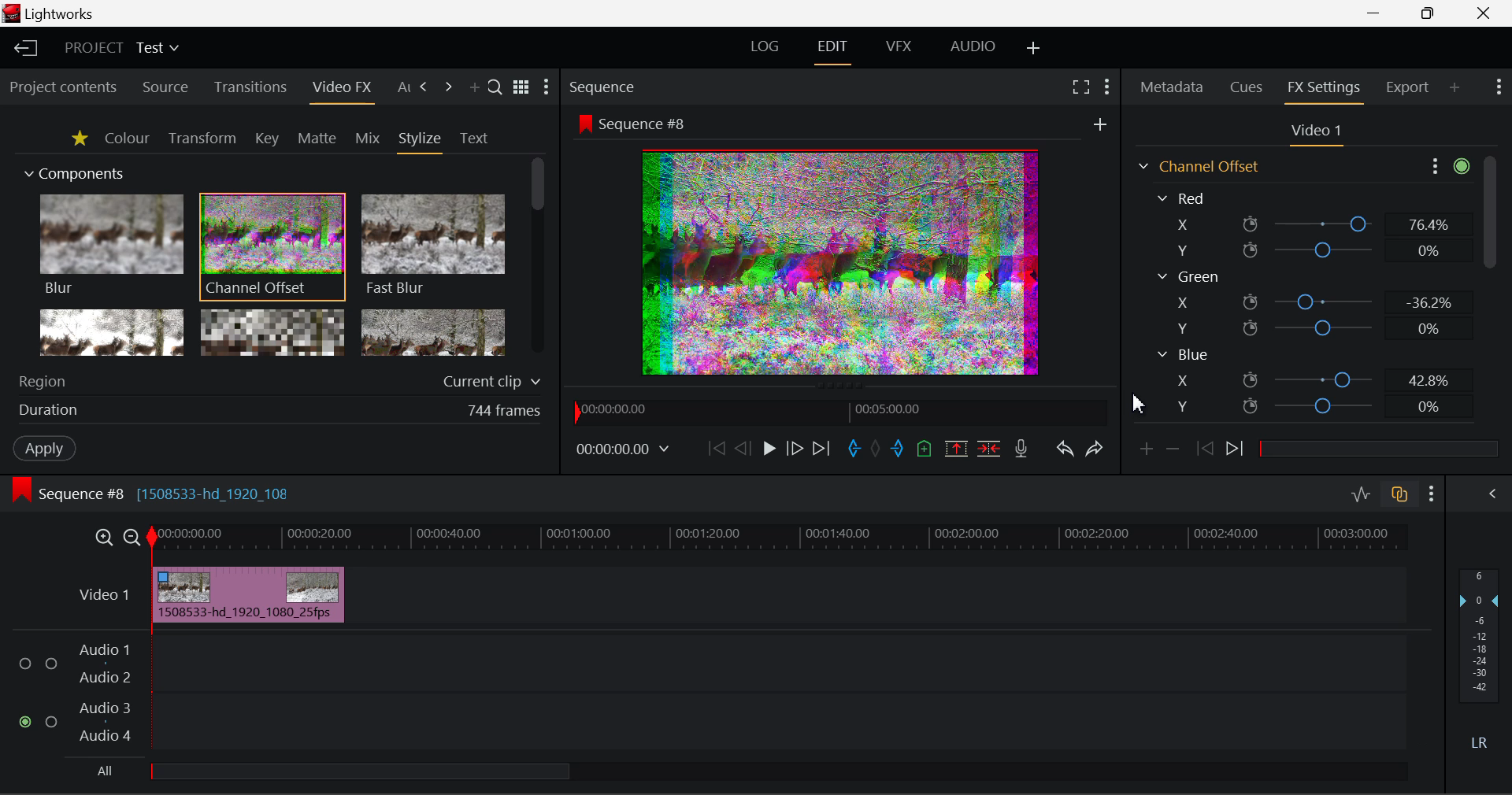 The width and height of the screenshot is (1512, 795). I want to click on Search, so click(495, 87).